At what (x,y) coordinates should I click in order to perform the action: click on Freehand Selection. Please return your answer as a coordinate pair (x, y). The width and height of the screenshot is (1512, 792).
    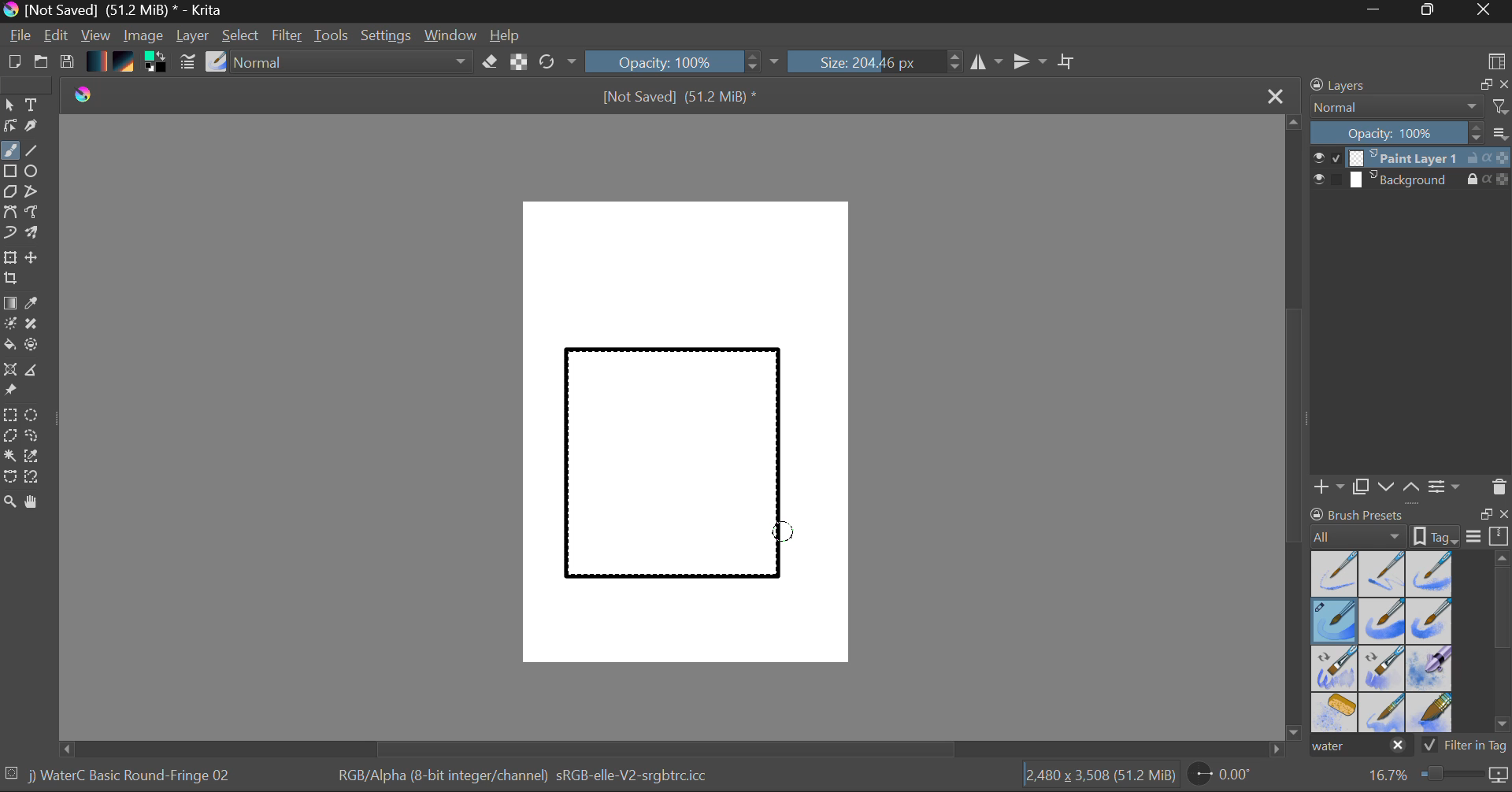
    Looking at the image, I should click on (32, 438).